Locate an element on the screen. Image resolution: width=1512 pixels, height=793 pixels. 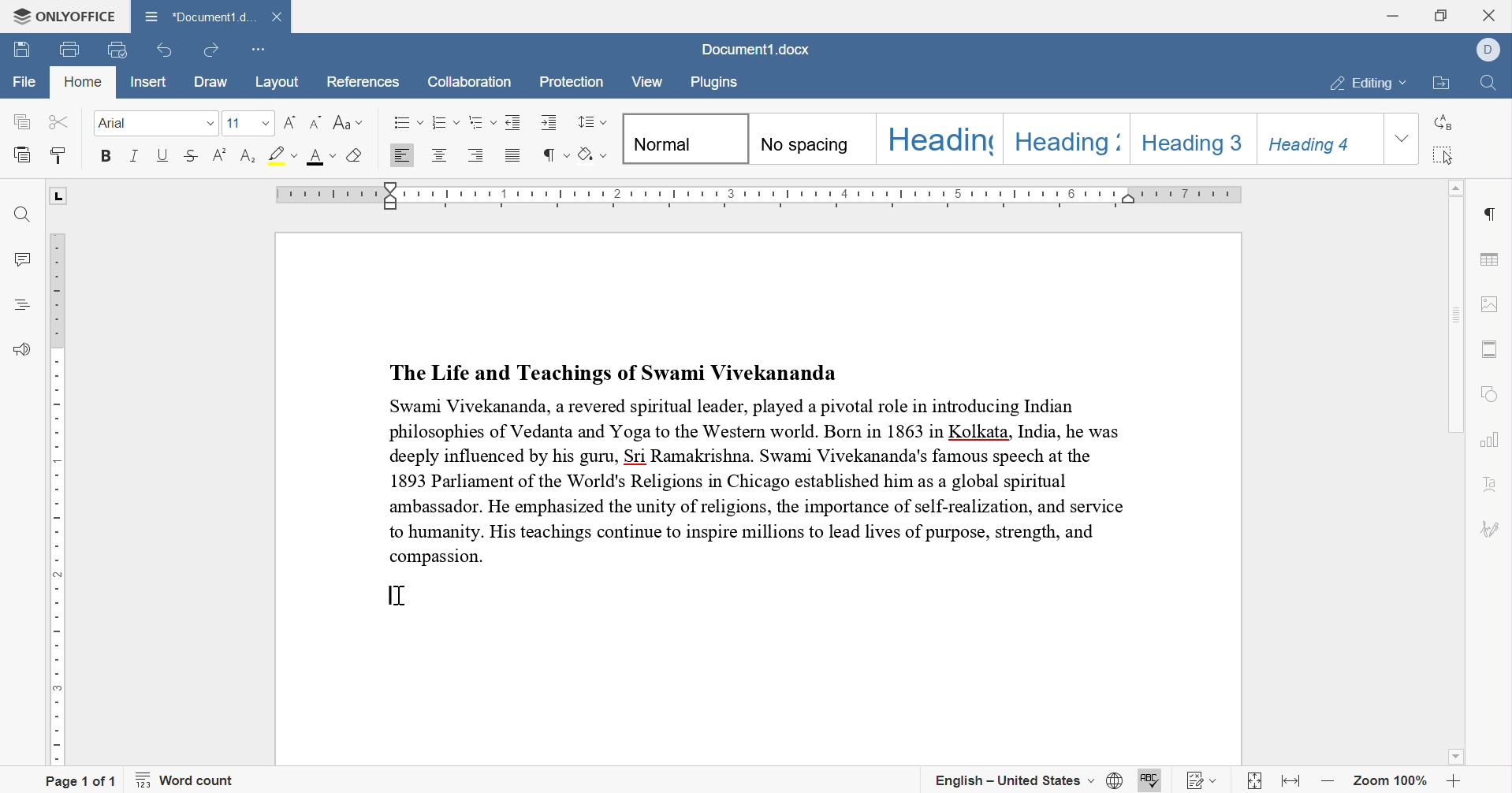
dell is located at coordinates (1491, 47).